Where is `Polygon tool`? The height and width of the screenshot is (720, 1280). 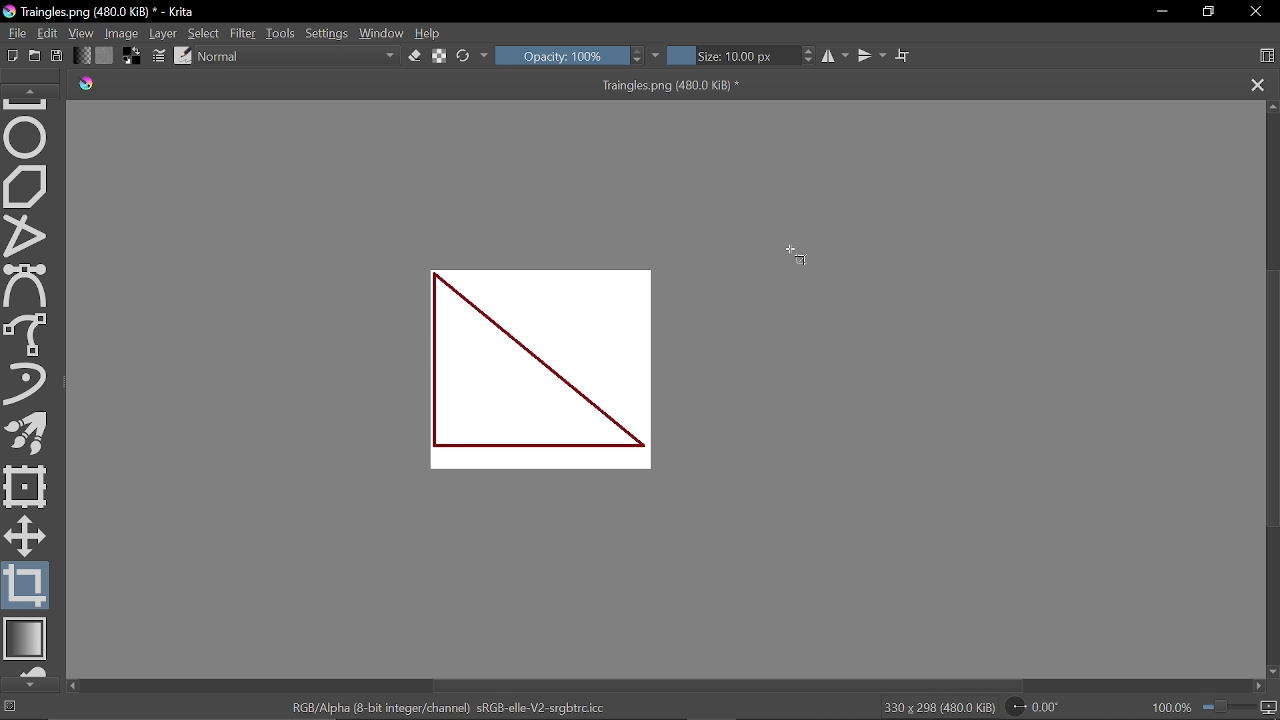 Polygon tool is located at coordinates (27, 187).